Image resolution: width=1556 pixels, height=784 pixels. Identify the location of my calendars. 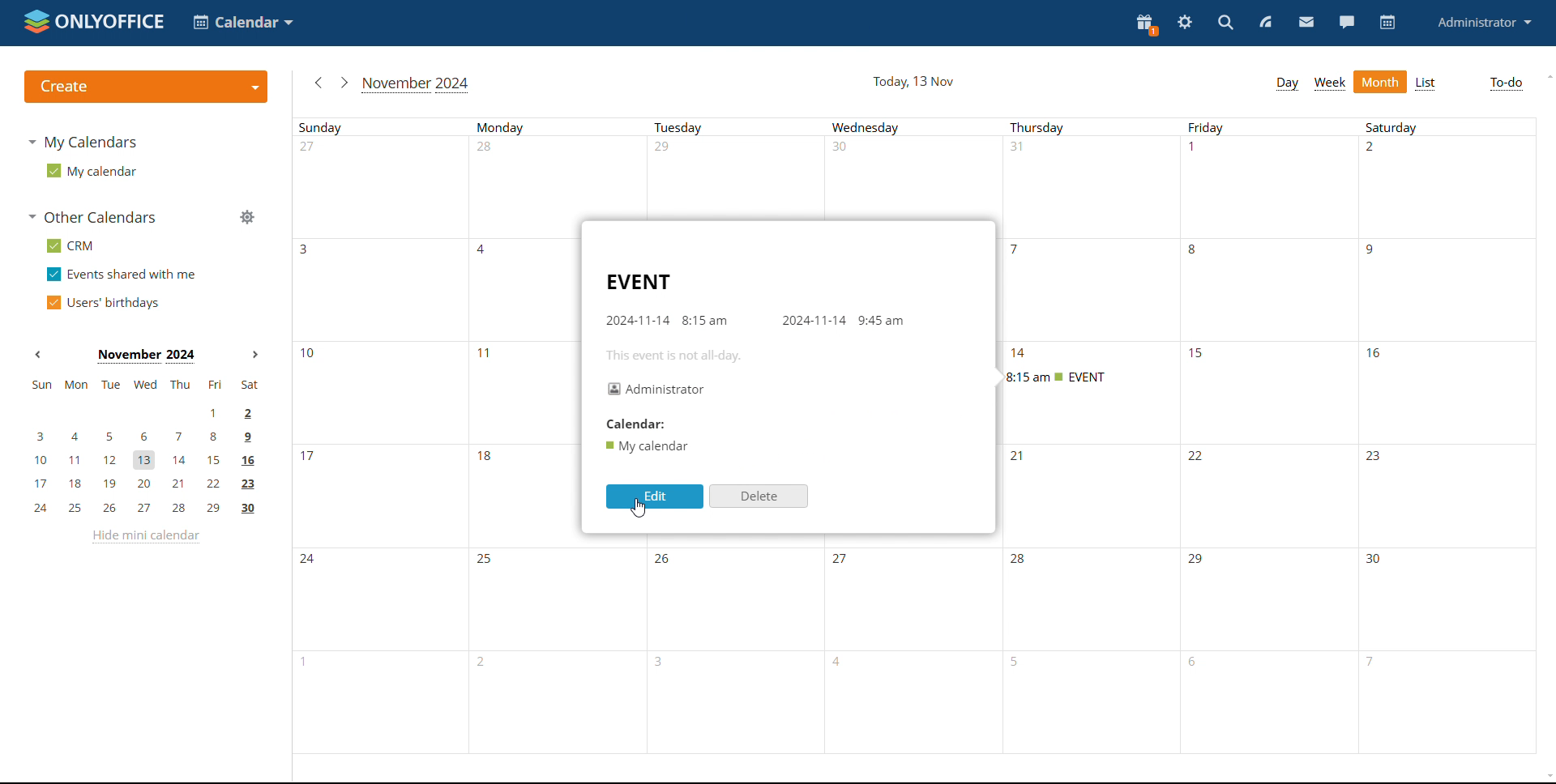
(85, 143).